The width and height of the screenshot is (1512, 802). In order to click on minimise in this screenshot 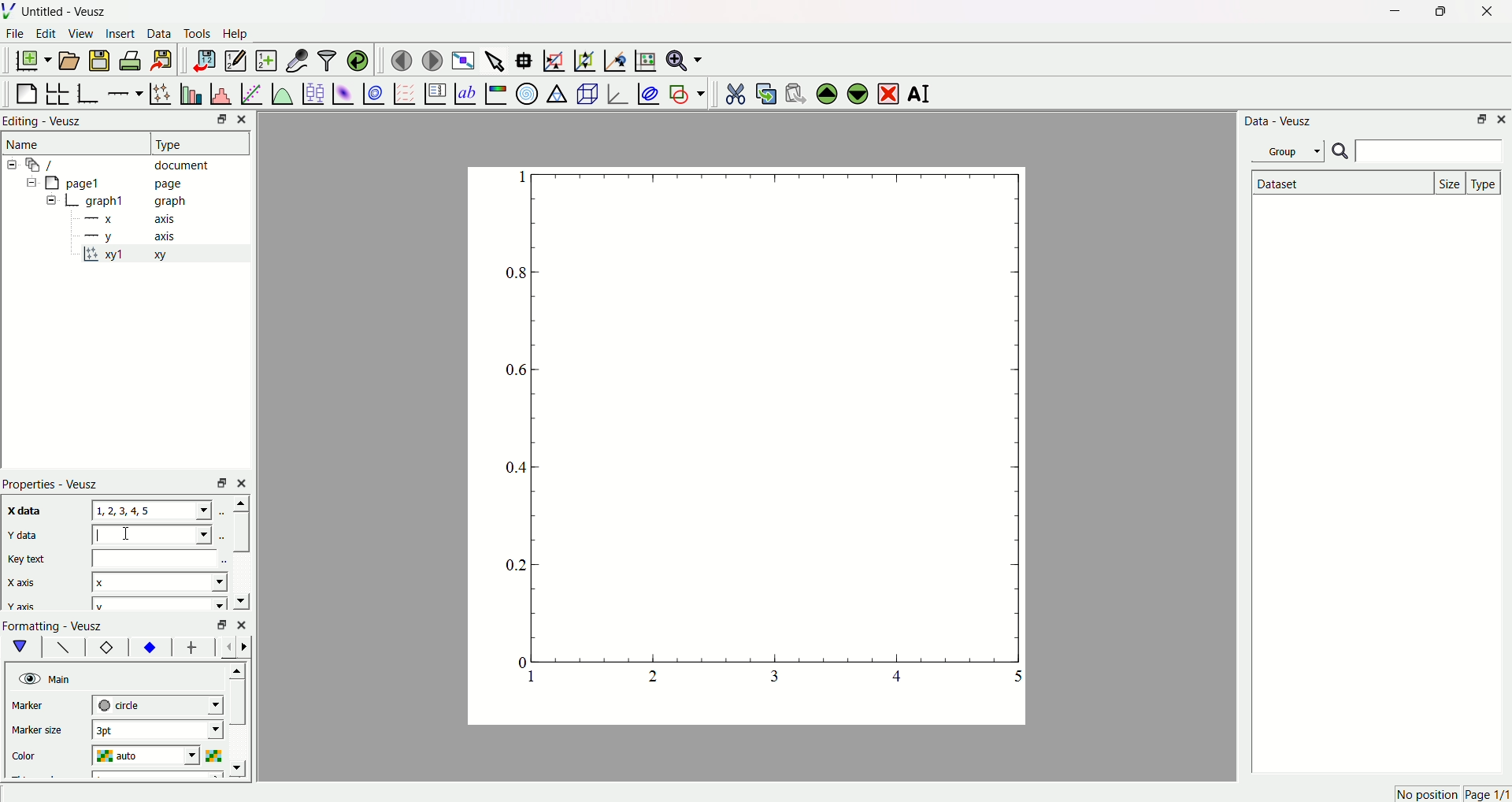, I will do `click(218, 625)`.